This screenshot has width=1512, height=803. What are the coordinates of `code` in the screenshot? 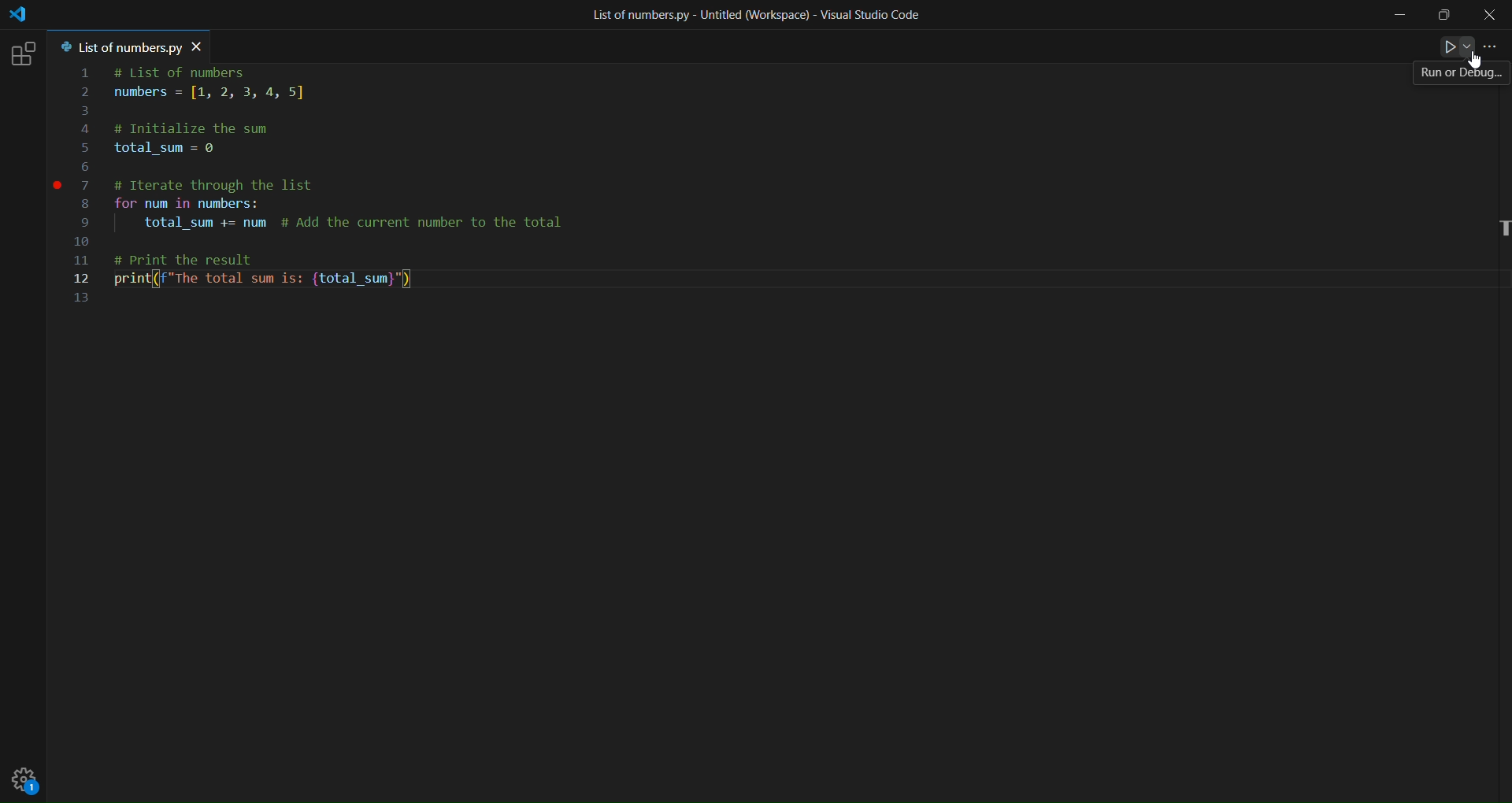 It's located at (344, 192).